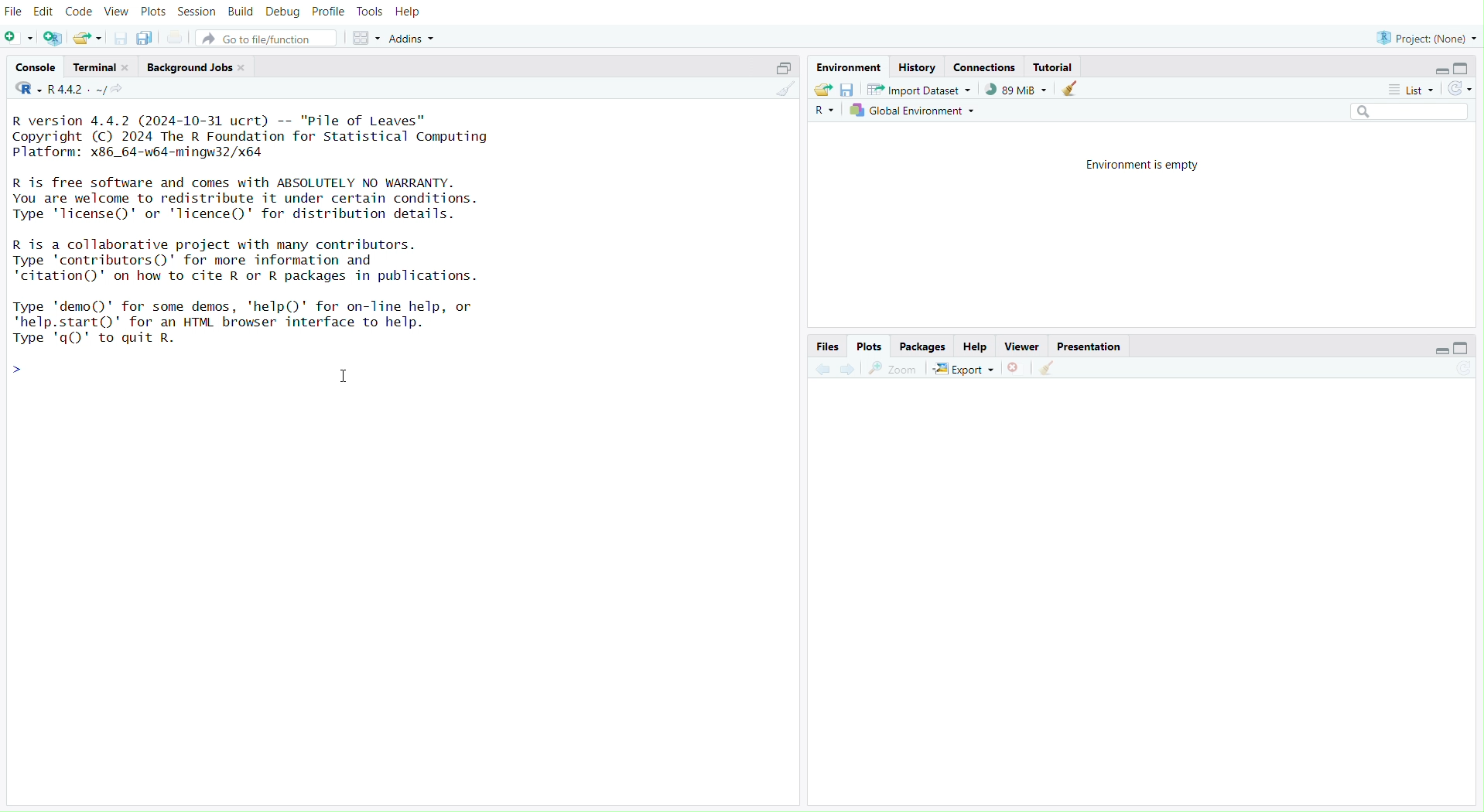 The height and width of the screenshot is (812, 1484). What do you see at coordinates (898, 367) in the screenshot?
I see `Zoom` at bounding box center [898, 367].